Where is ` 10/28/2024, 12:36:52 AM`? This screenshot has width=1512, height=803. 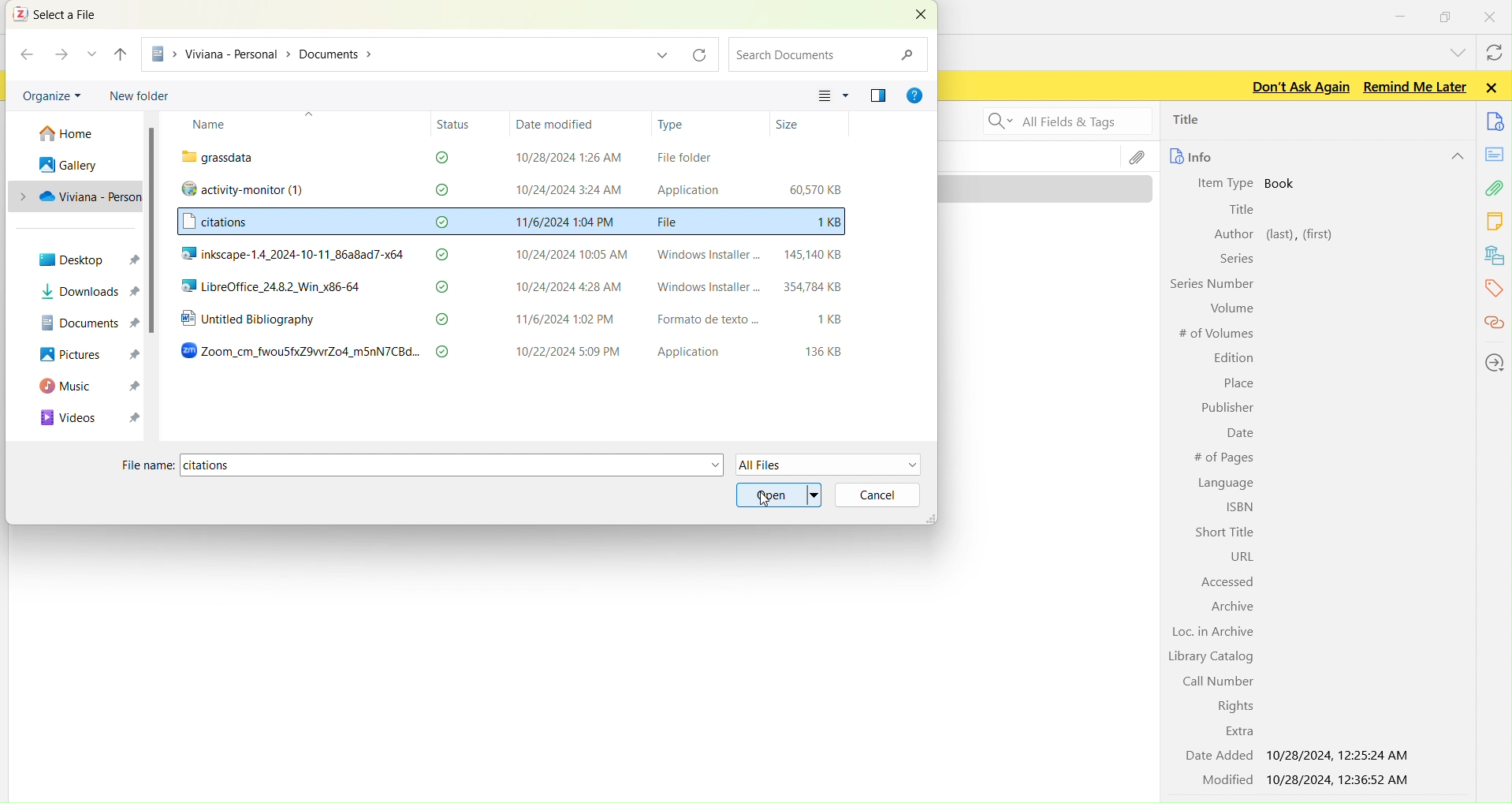
 10/28/2024, 12:36:52 AM is located at coordinates (1341, 781).